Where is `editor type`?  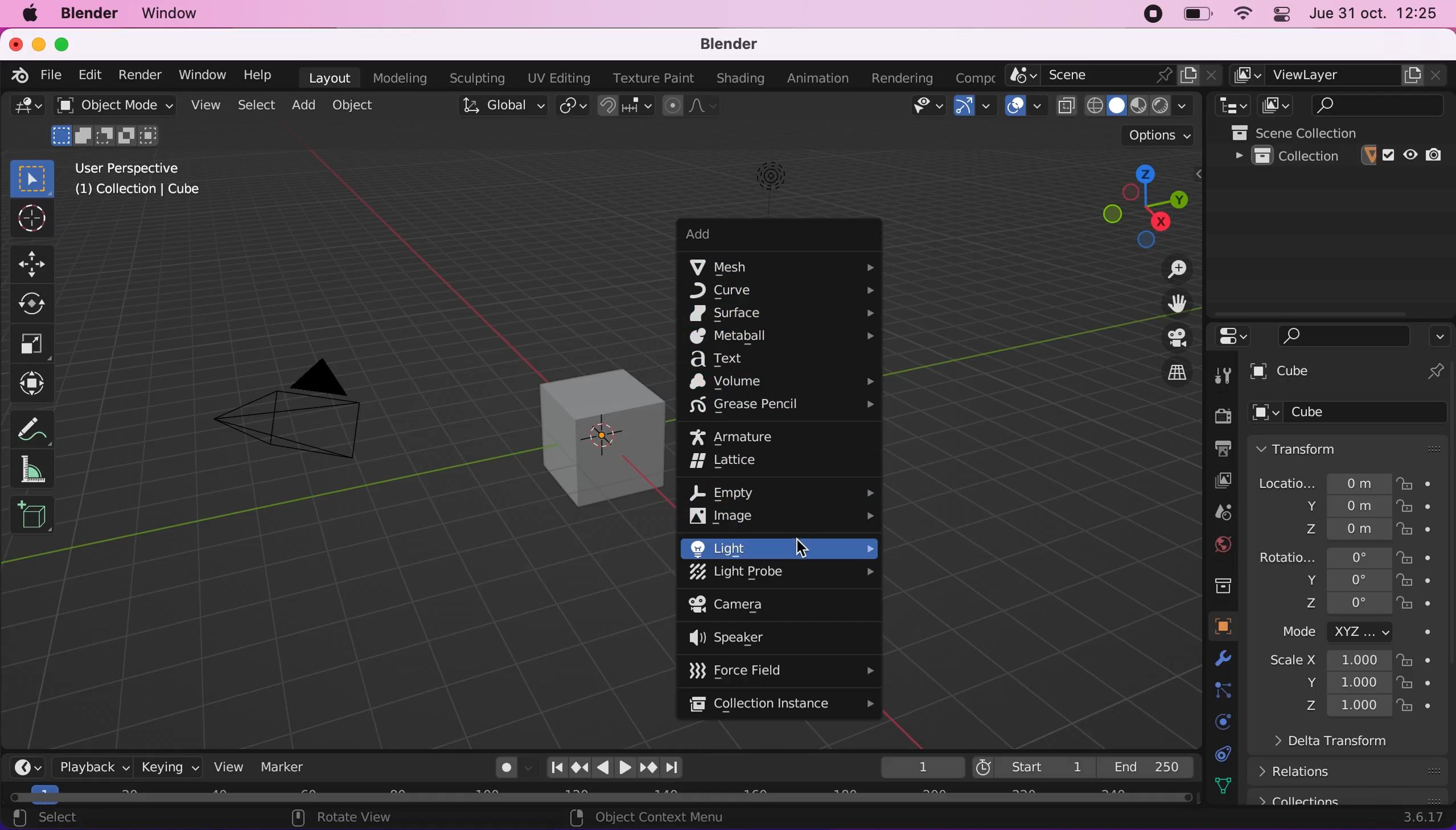 editor type is located at coordinates (25, 111).